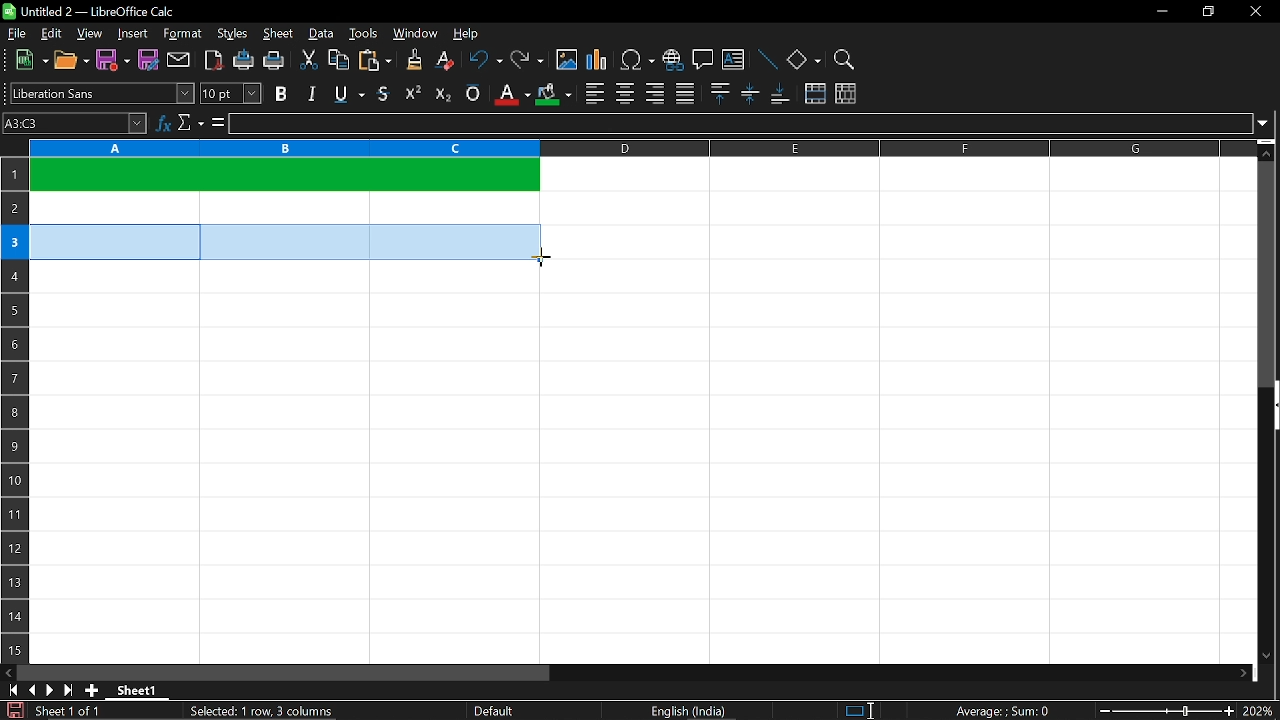  I want to click on tools, so click(364, 35).